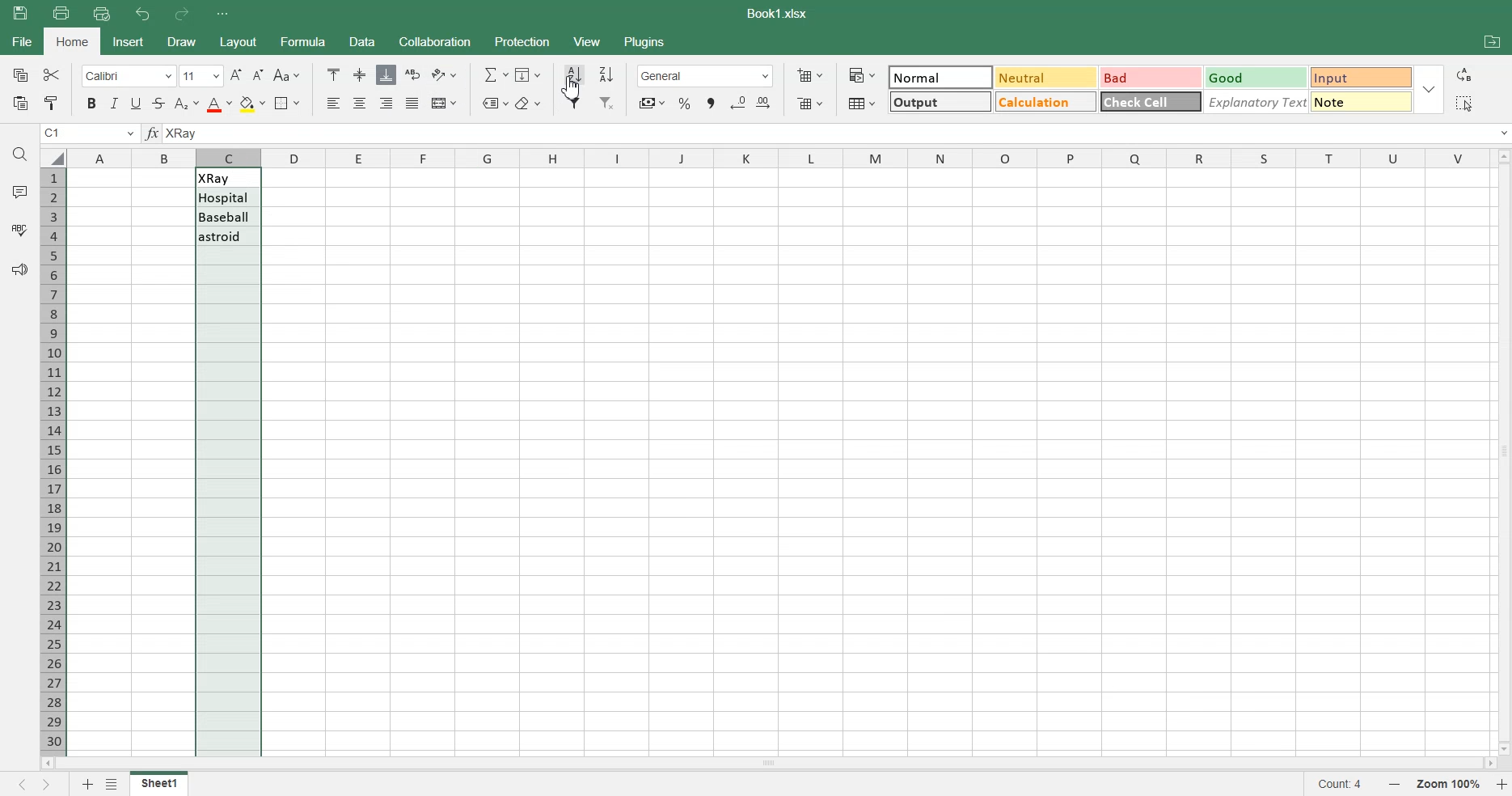  What do you see at coordinates (53, 459) in the screenshot?
I see `Vertical Row Number line` at bounding box center [53, 459].